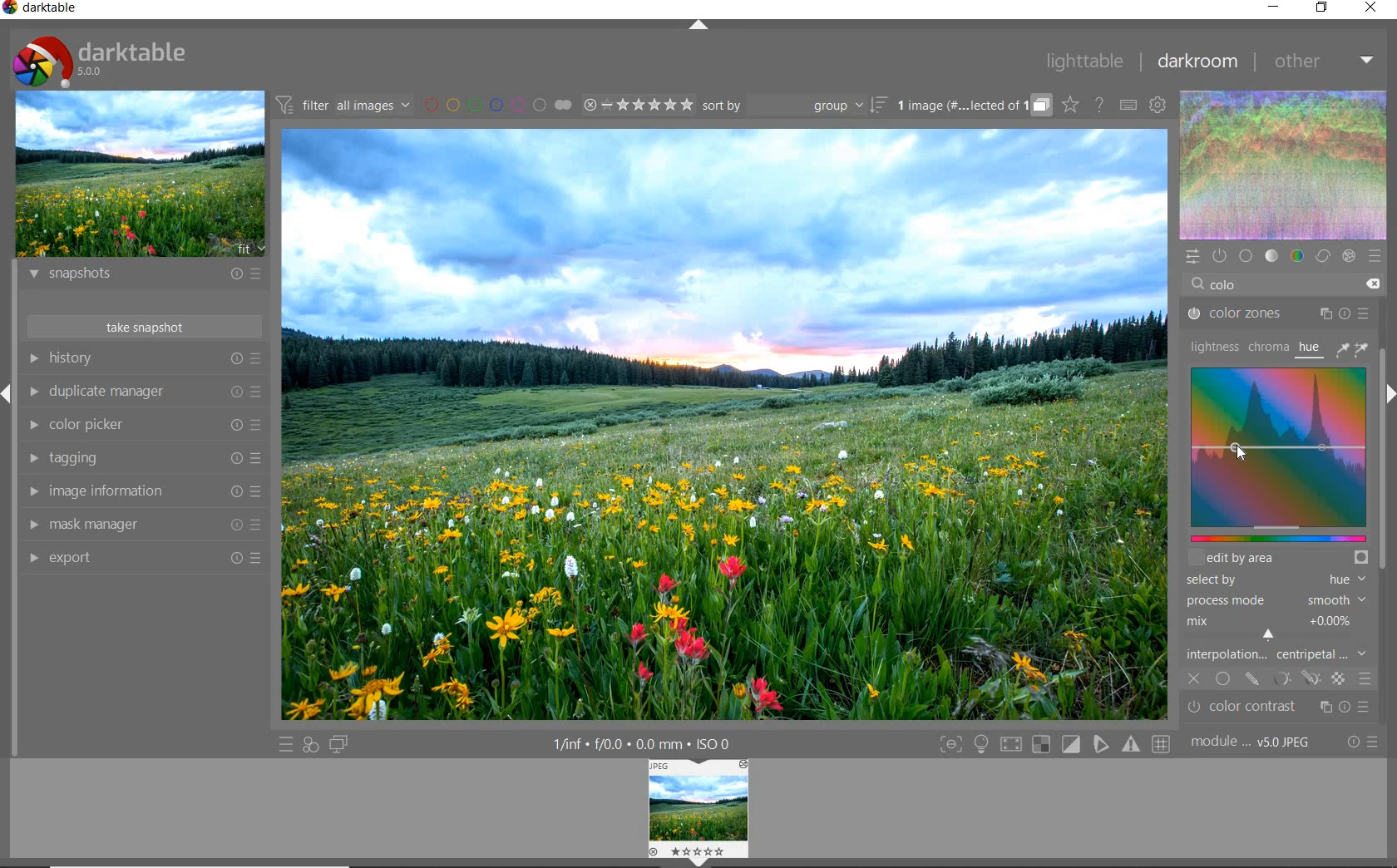  Describe the element at coordinates (140, 176) in the screenshot. I see `image preview` at that location.